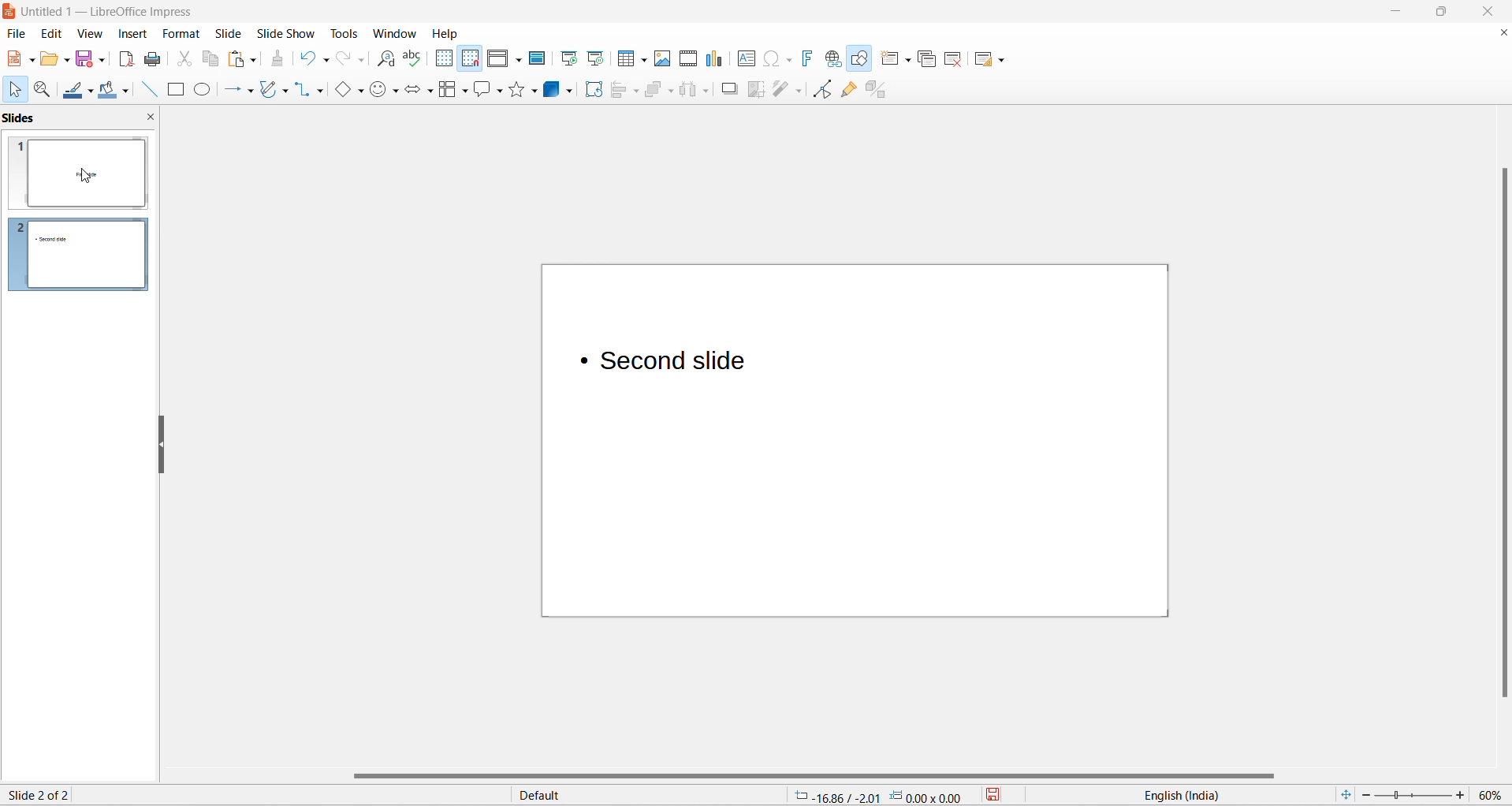 This screenshot has width=1512, height=806. What do you see at coordinates (12, 58) in the screenshot?
I see `new file` at bounding box center [12, 58].